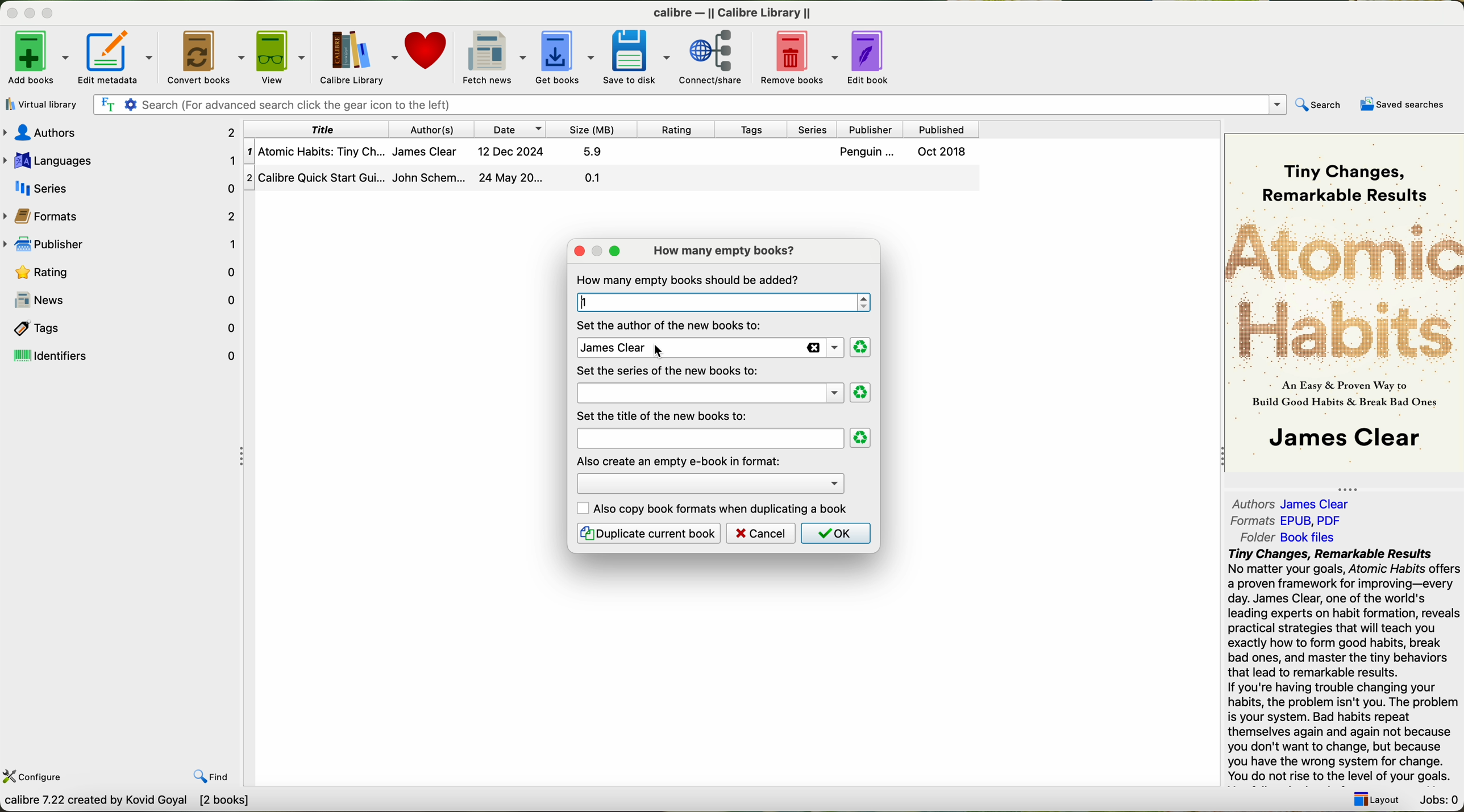  I want to click on saved searches, so click(1401, 104).